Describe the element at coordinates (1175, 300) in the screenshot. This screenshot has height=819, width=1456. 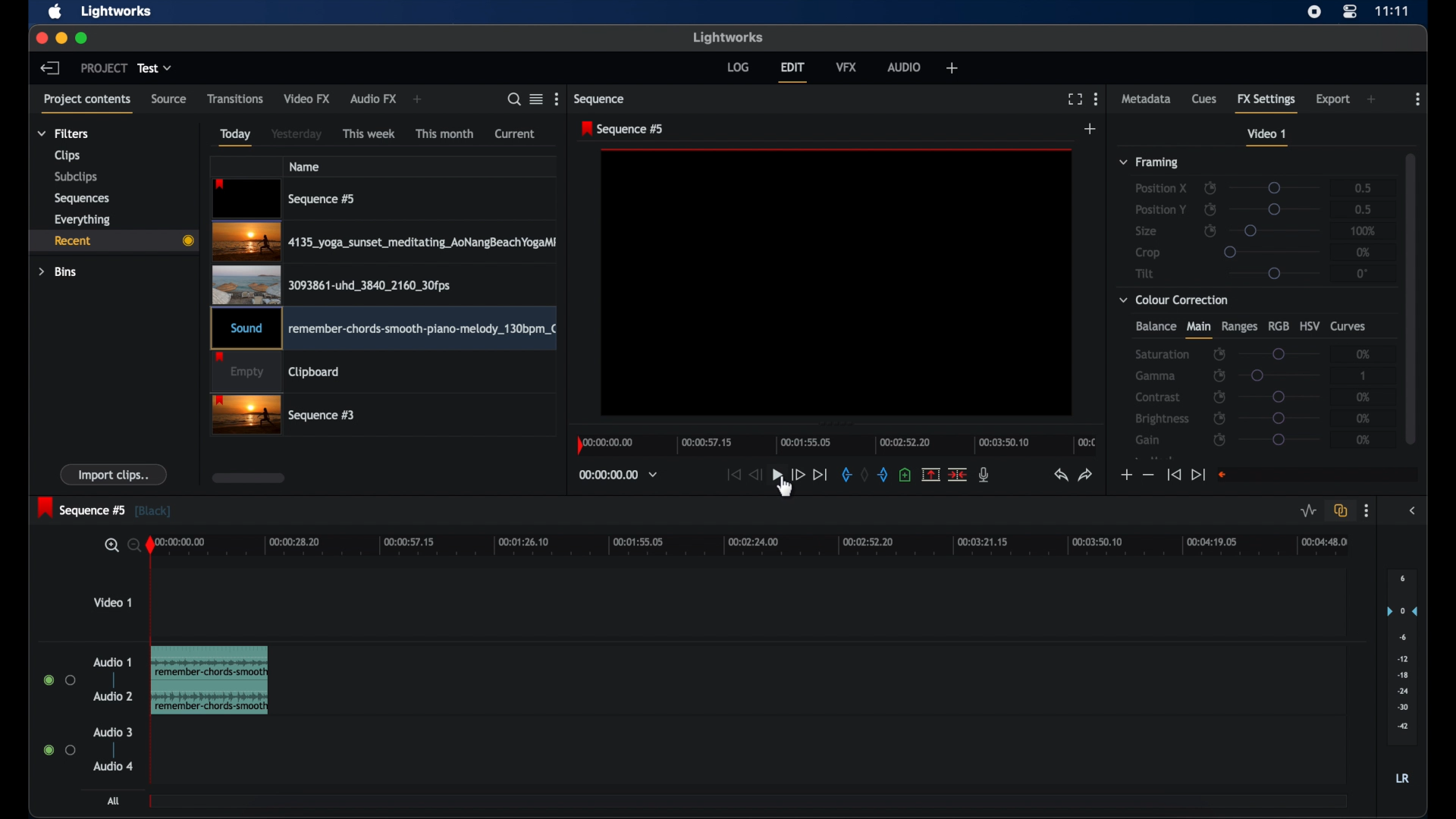
I see `color correction` at that location.